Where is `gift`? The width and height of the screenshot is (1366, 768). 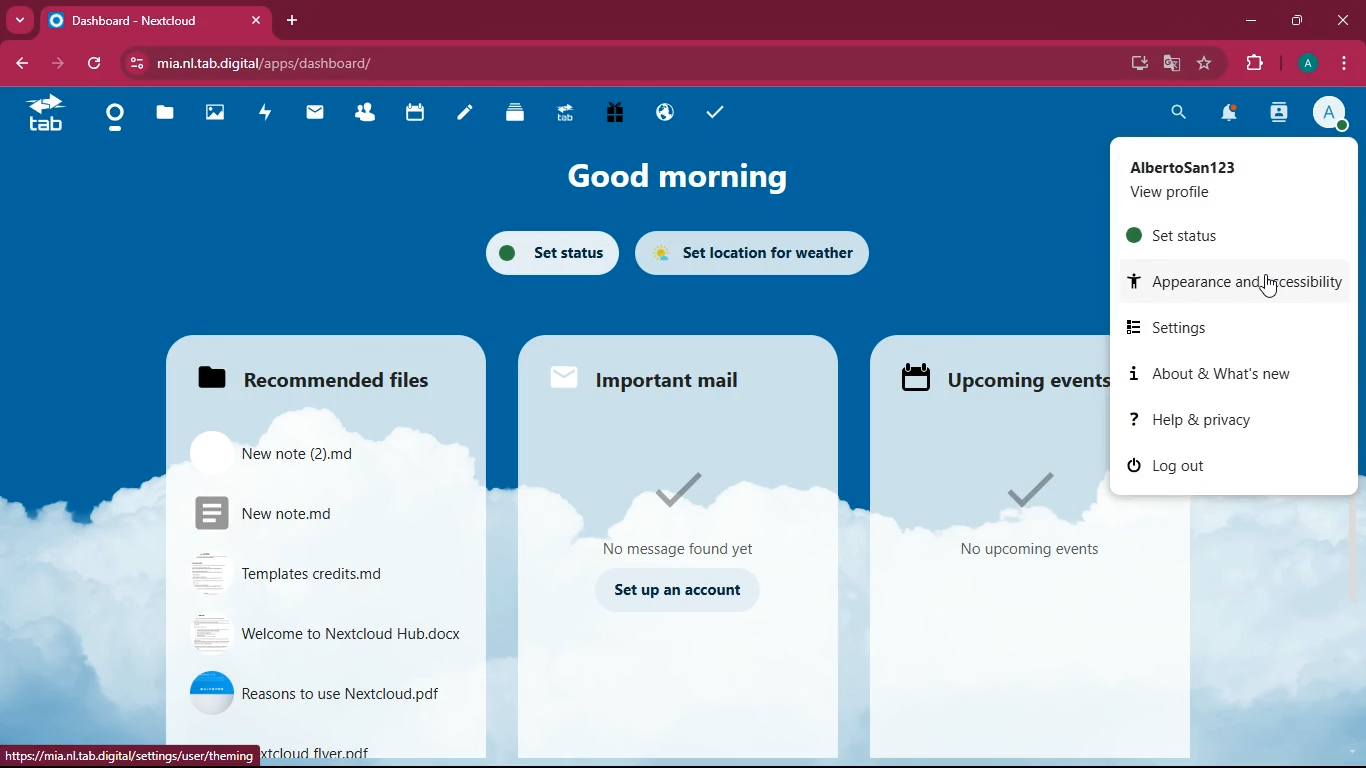 gift is located at coordinates (614, 112).